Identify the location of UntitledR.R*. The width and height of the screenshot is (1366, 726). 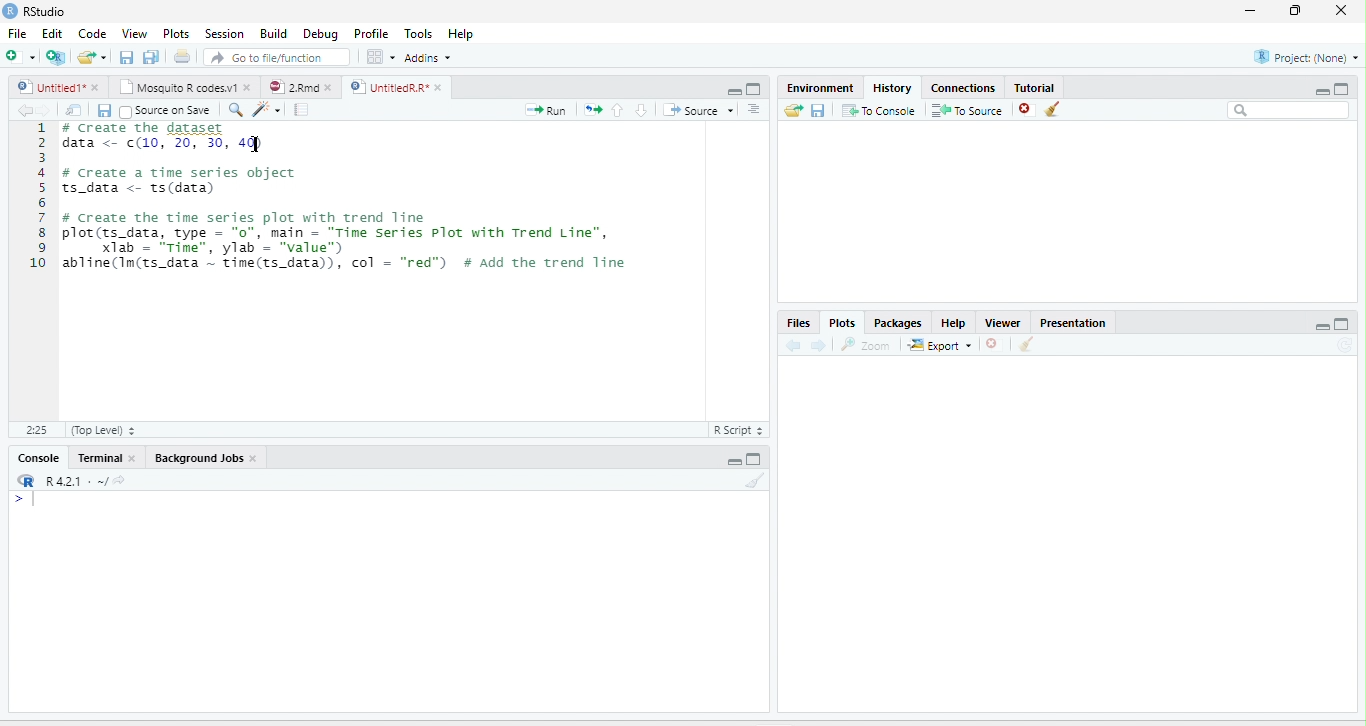
(388, 87).